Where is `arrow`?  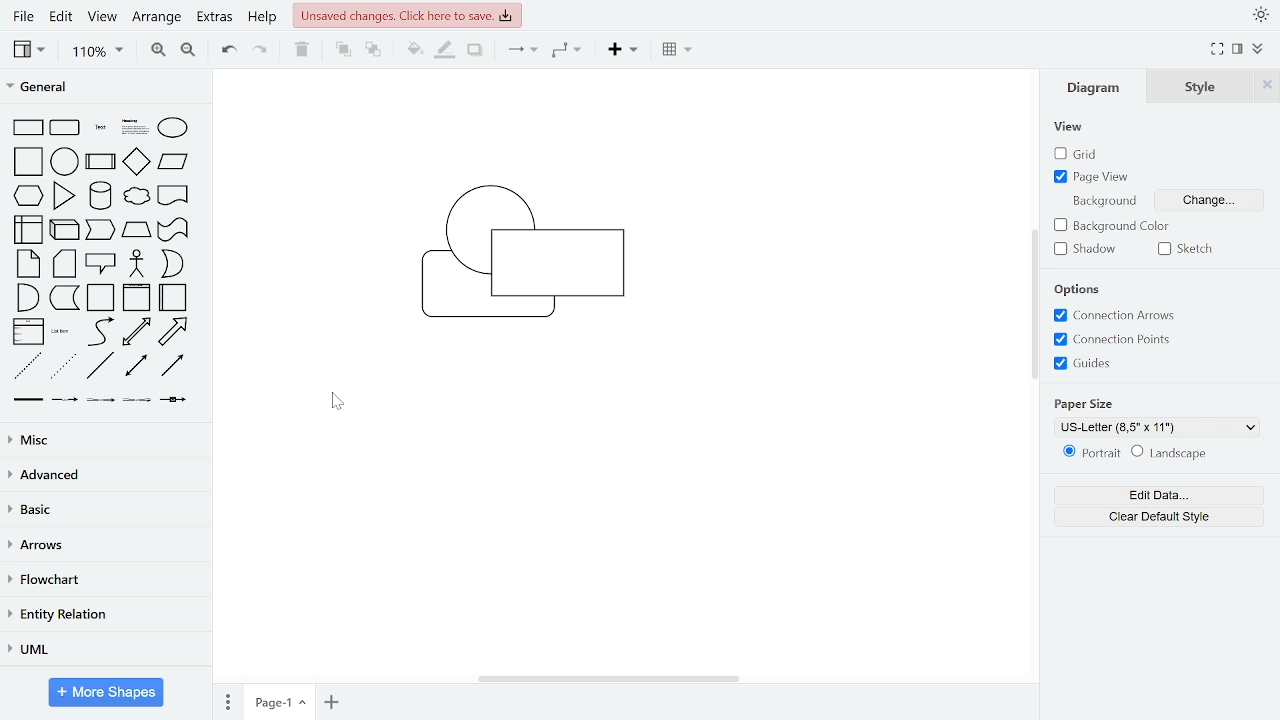 arrow is located at coordinates (172, 333).